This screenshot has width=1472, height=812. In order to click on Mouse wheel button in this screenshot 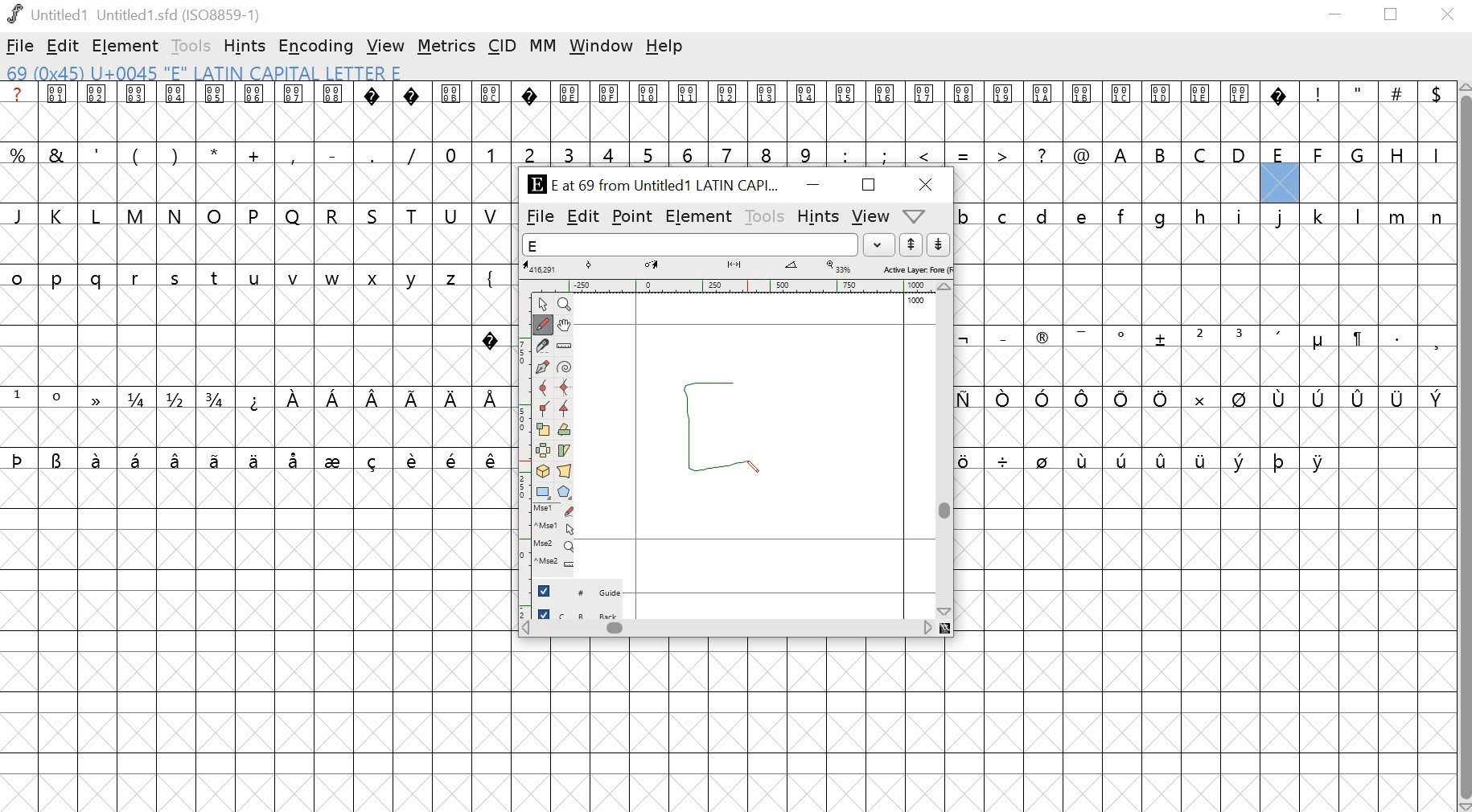, I will do `click(553, 546)`.